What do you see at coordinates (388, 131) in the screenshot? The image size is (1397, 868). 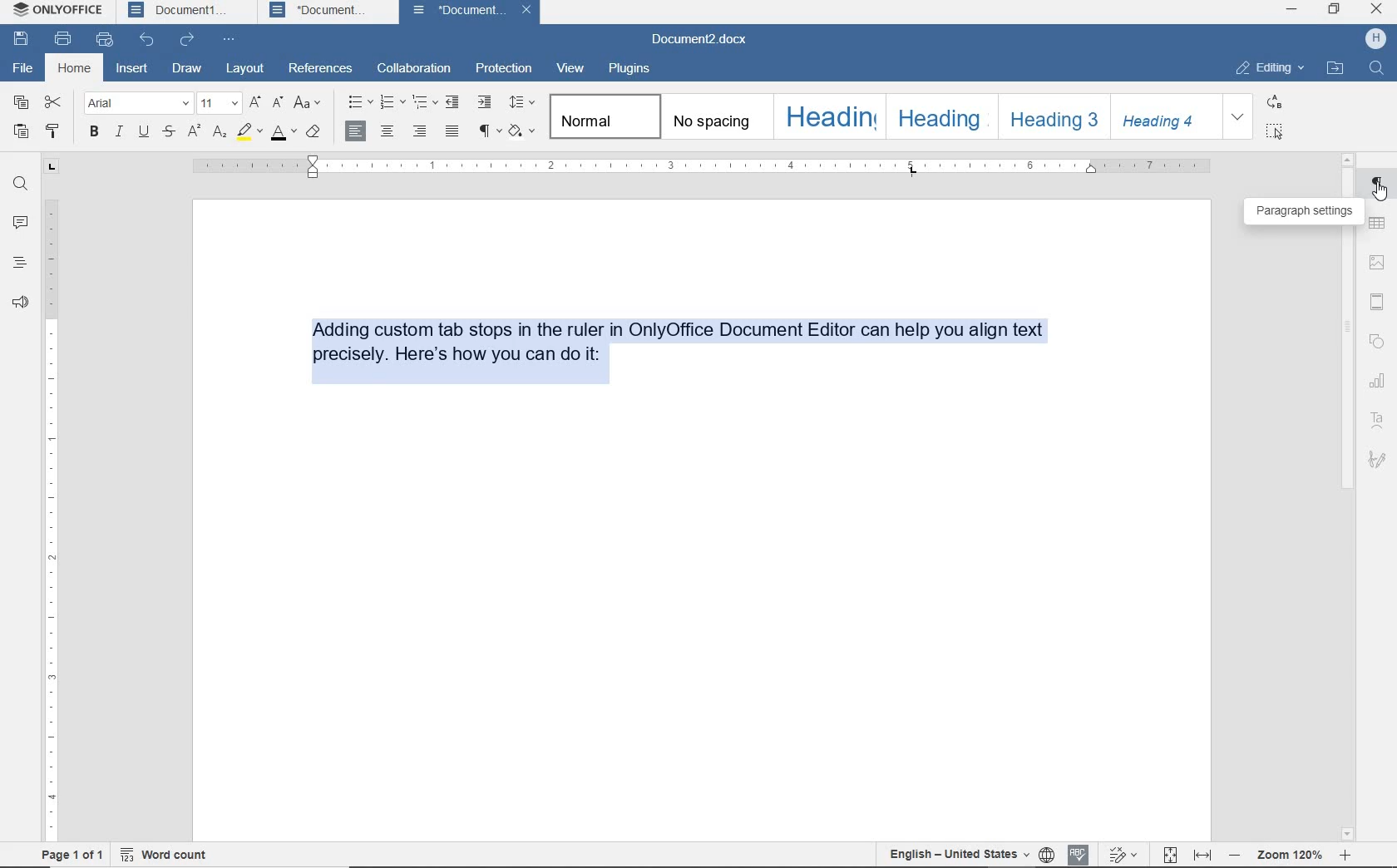 I see `align center` at bounding box center [388, 131].